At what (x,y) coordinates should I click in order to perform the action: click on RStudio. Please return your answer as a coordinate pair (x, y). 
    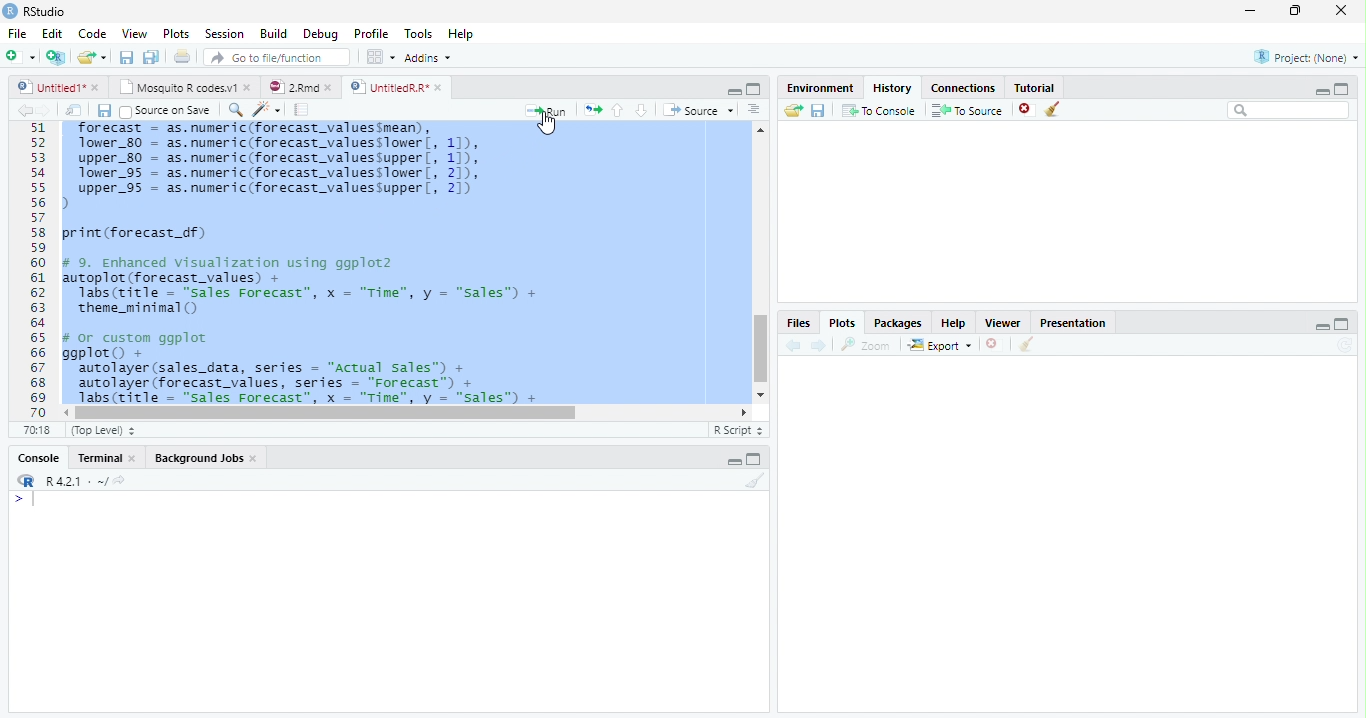
    Looking at the image, I should click on (39, 12).